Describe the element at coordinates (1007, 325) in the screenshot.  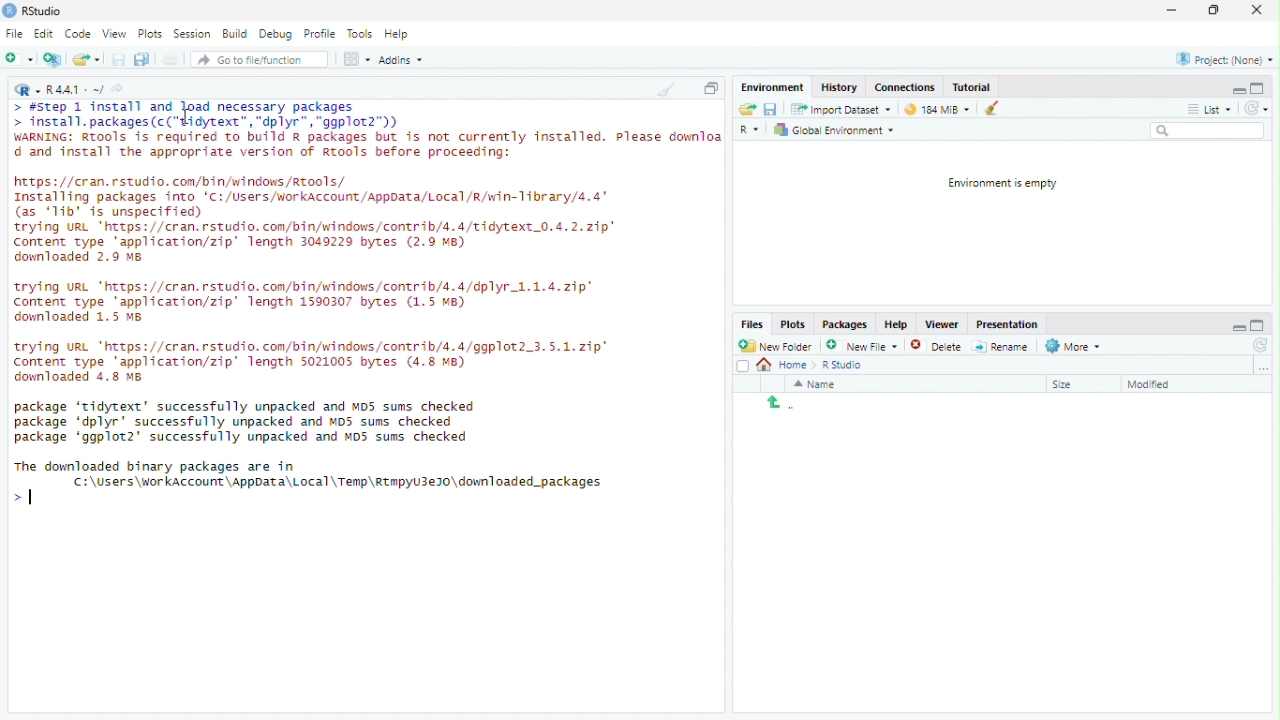
I see `Presentation` at that location.